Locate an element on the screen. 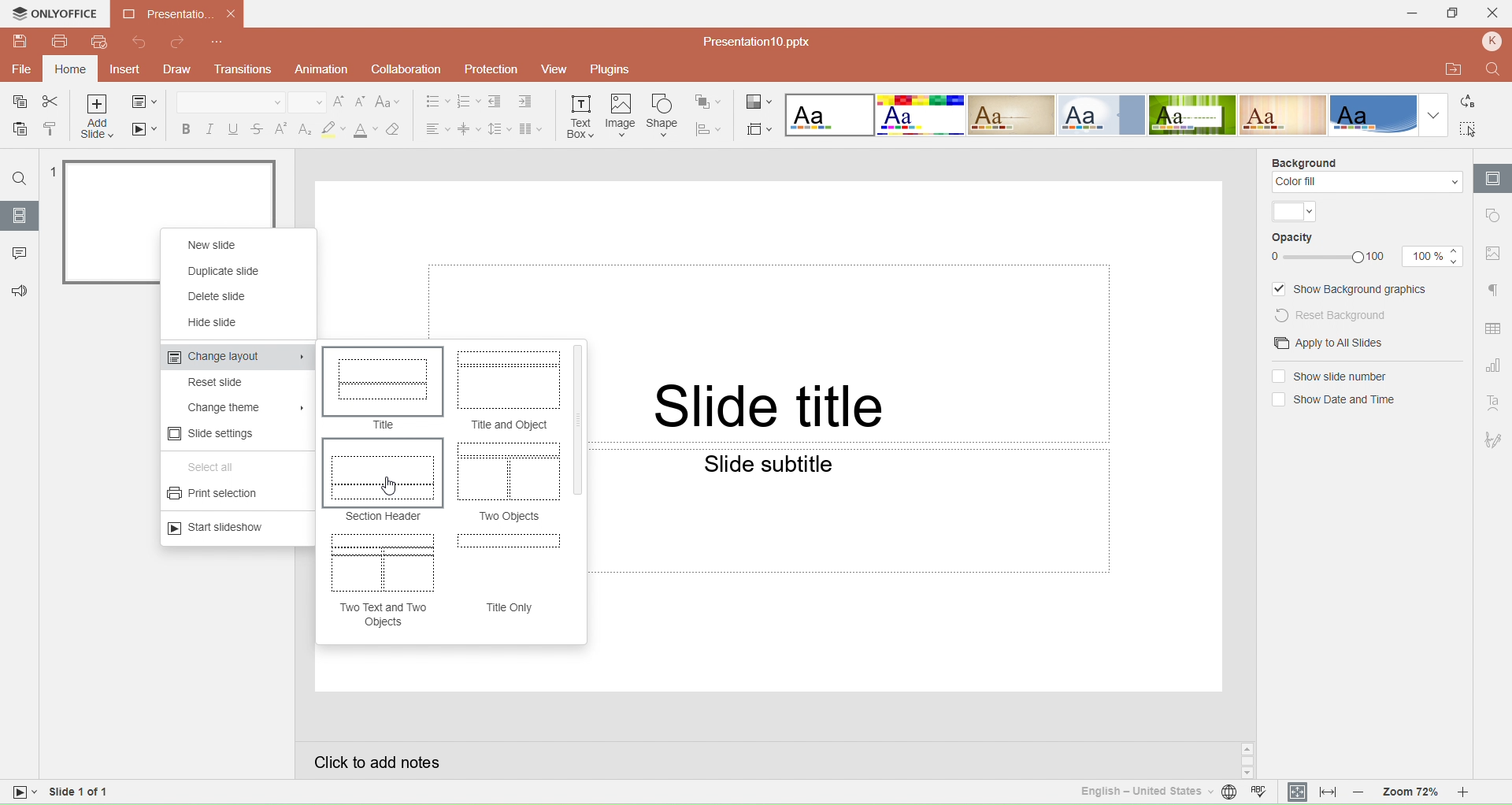 This screenshot has width=1512, height=805. Start slideshow is located at coordinates (146, 132).